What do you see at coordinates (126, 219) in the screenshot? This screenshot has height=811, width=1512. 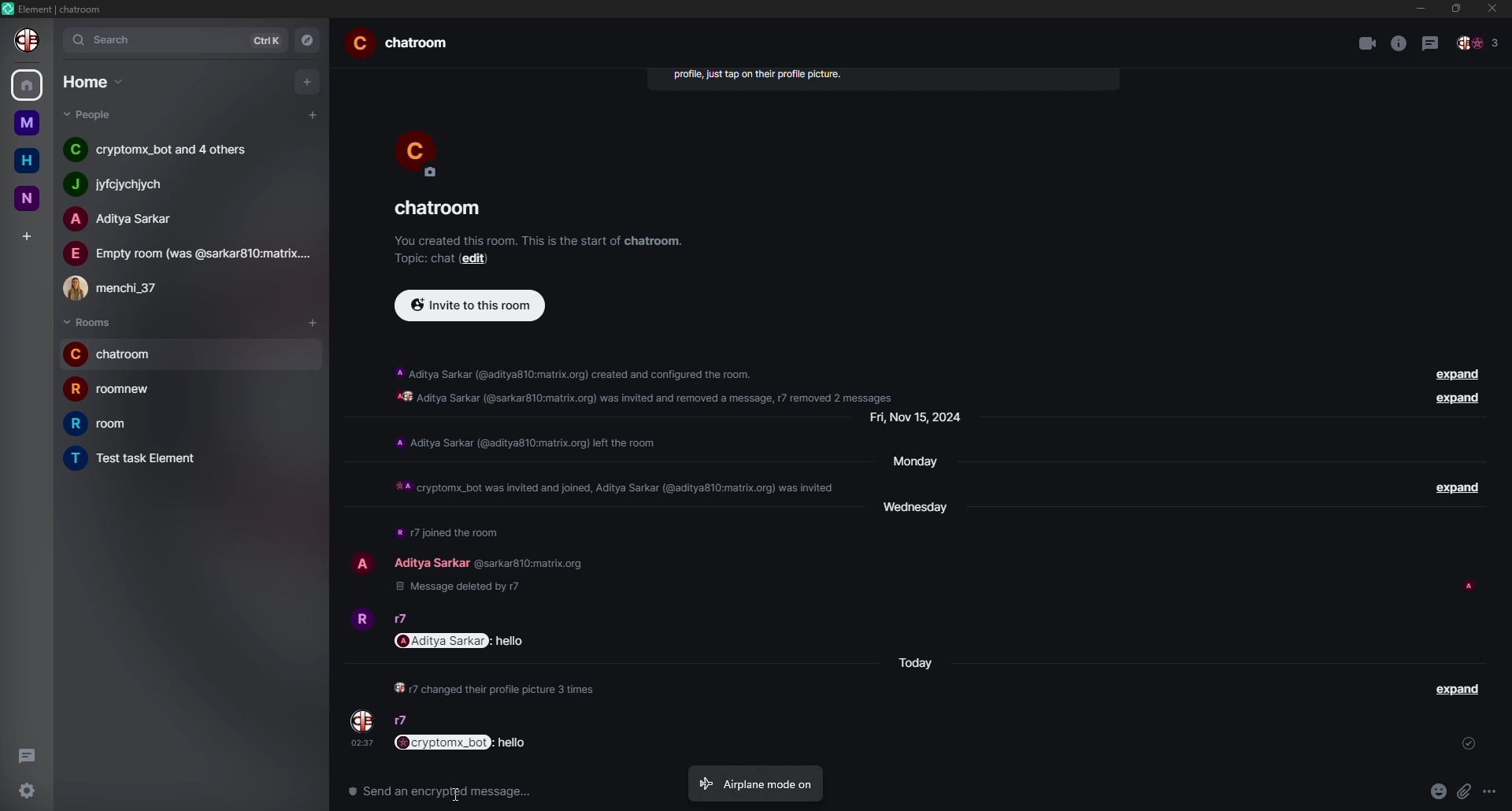 I see `people` at bounding box center [126, 219].